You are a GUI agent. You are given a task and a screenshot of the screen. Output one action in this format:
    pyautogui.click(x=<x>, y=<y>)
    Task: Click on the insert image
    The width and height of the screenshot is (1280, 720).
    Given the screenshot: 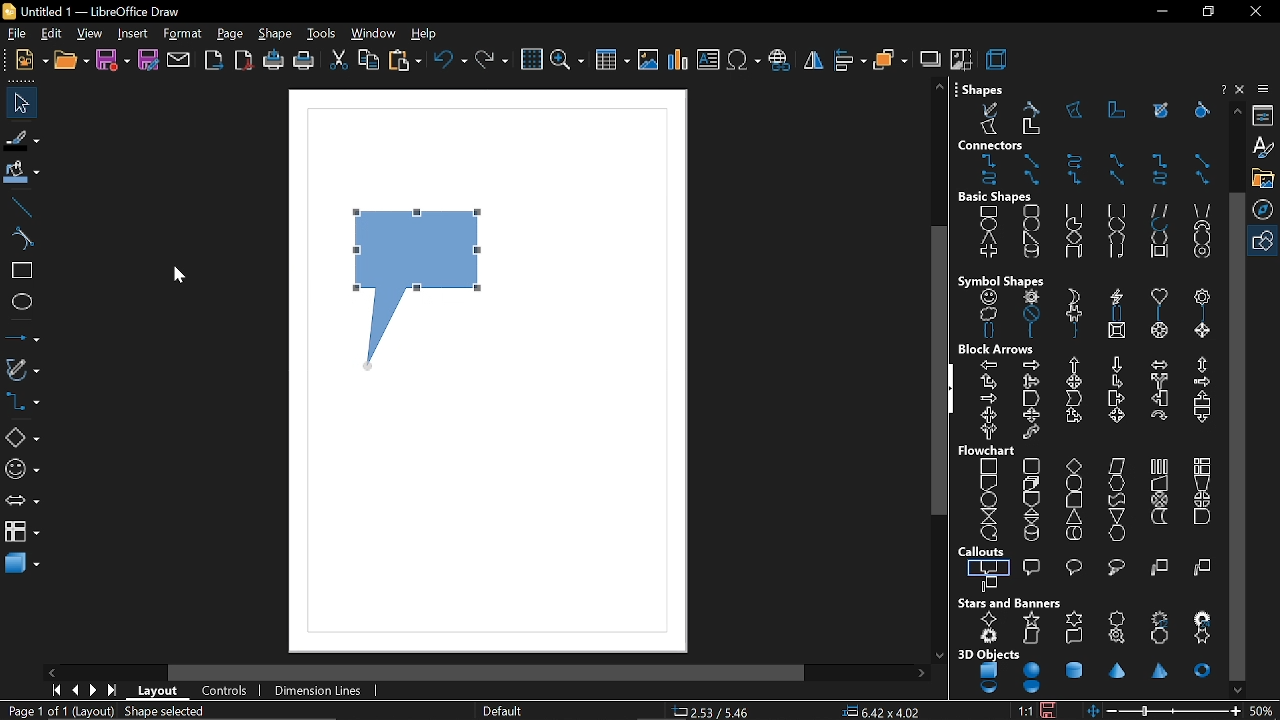 What is the action you would take?
    pyautogui.click(x=647, y=62)
    